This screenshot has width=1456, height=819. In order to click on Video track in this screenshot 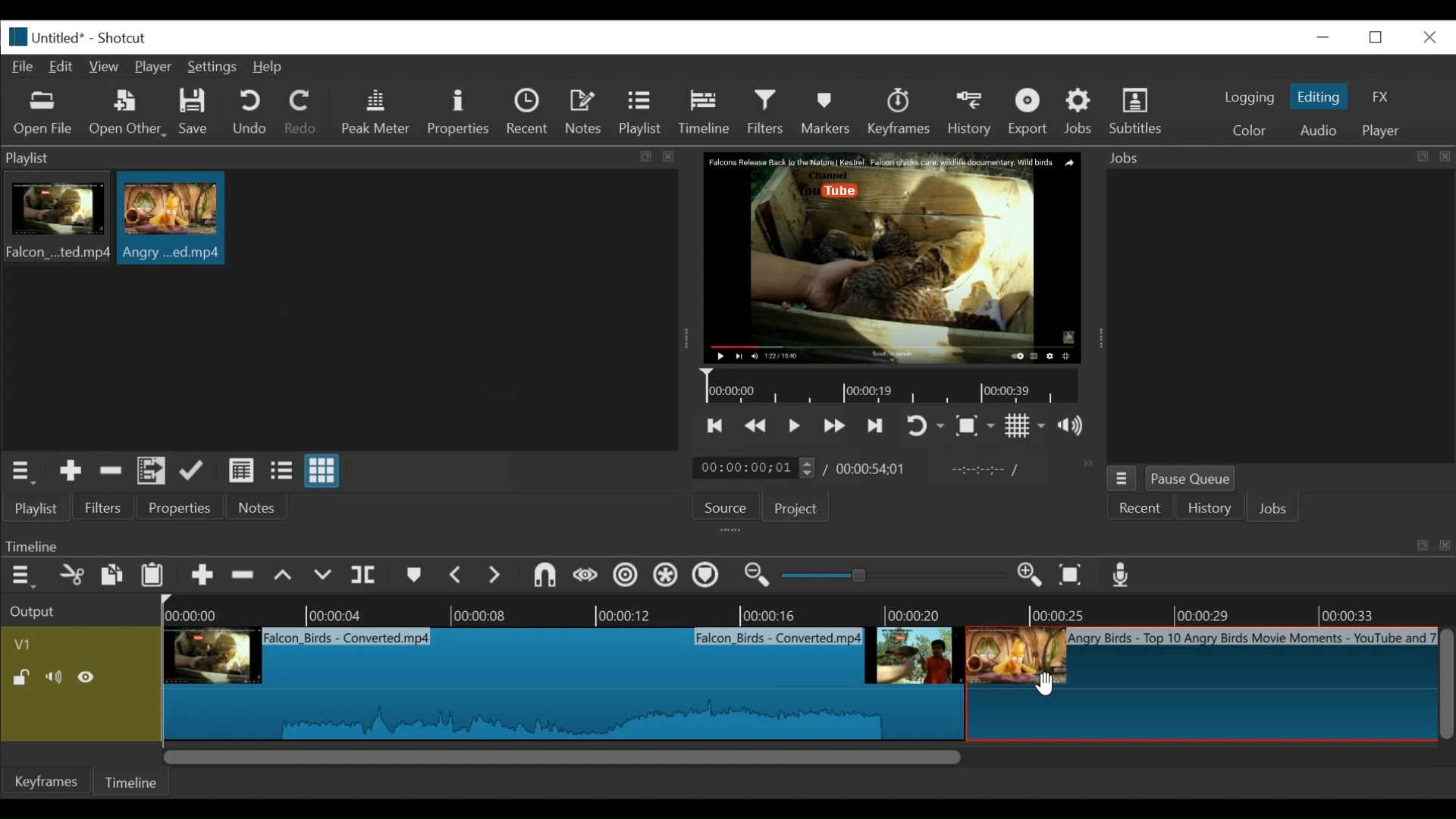, I will do `click(81, 644)`.